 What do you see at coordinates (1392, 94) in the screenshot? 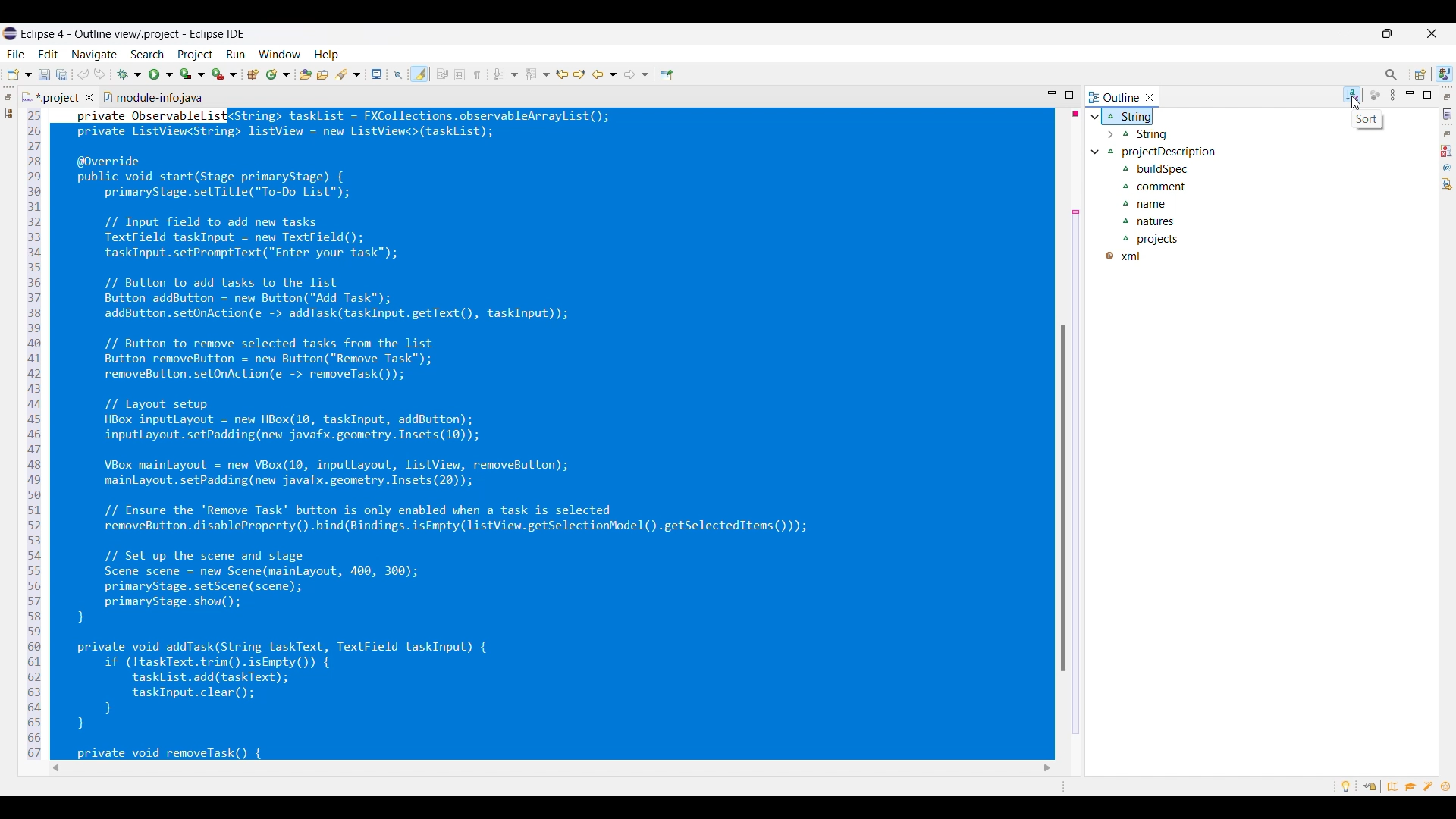
I see `more options` at bounding box center [1392, 94].